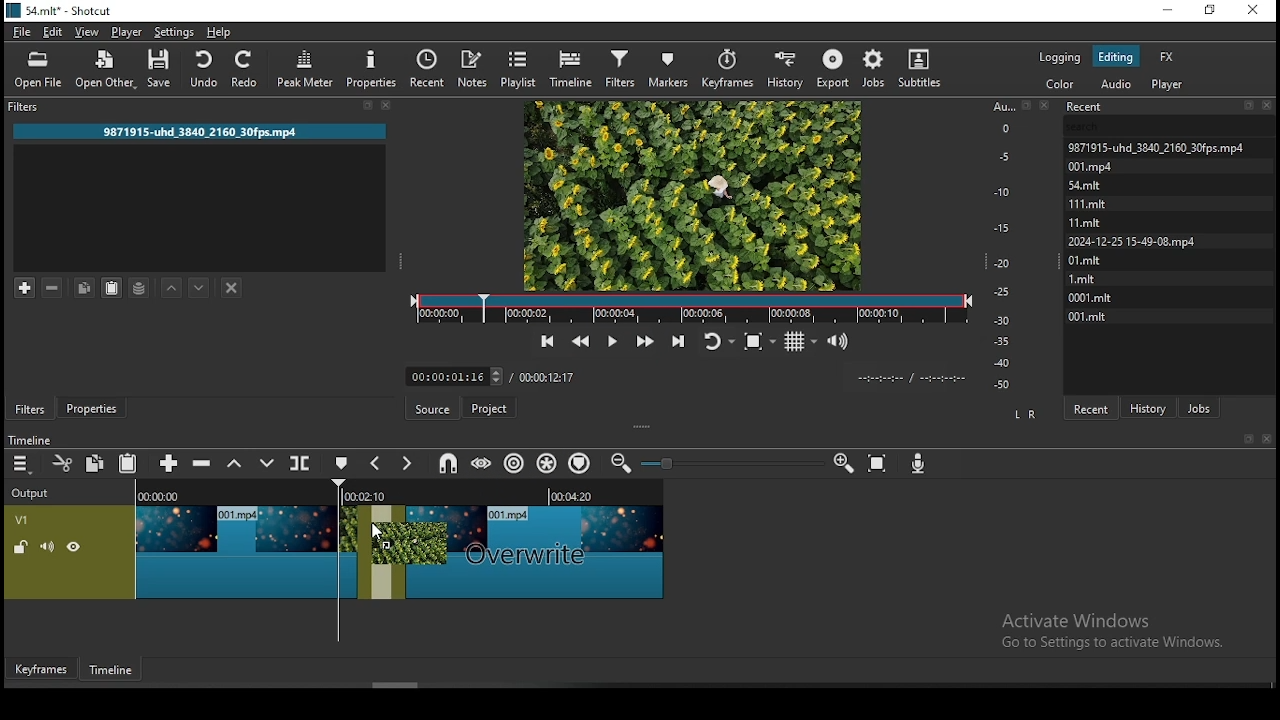  Describe the element at coordinates (128, 462) in the screenshot. I see `paste` at that location.